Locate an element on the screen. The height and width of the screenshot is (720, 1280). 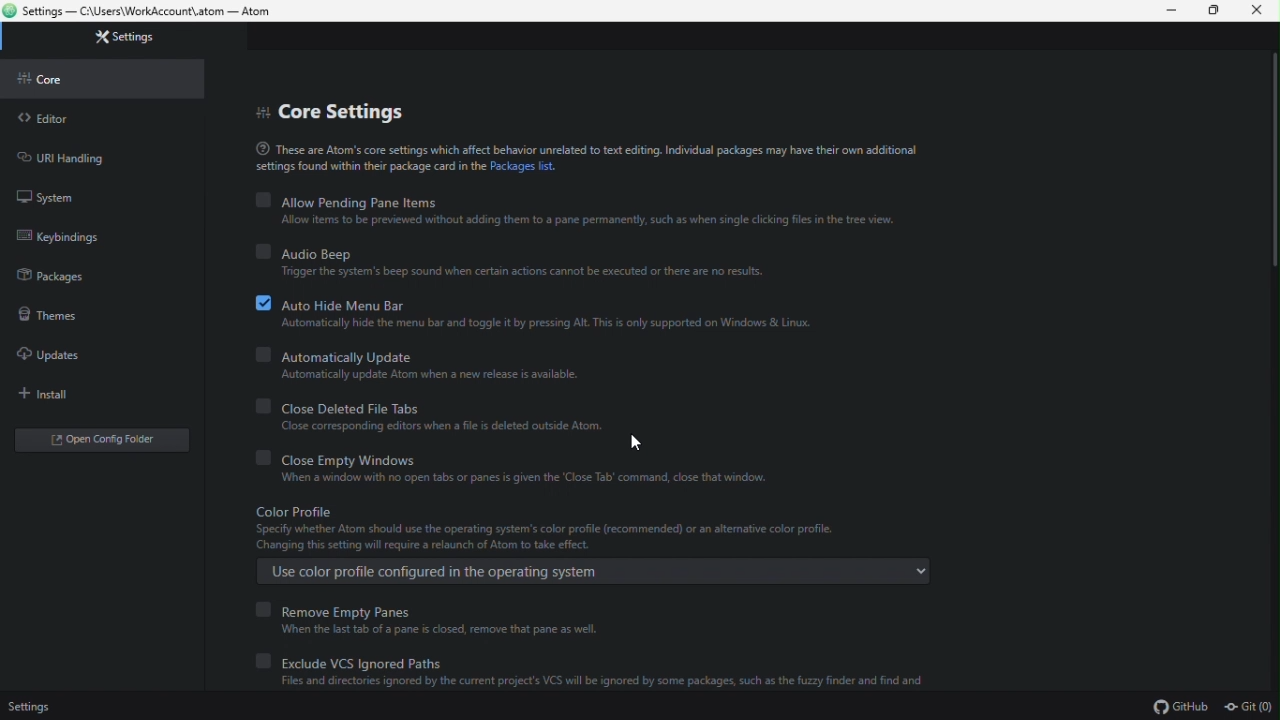
settings is located at coordinates (29, 708).